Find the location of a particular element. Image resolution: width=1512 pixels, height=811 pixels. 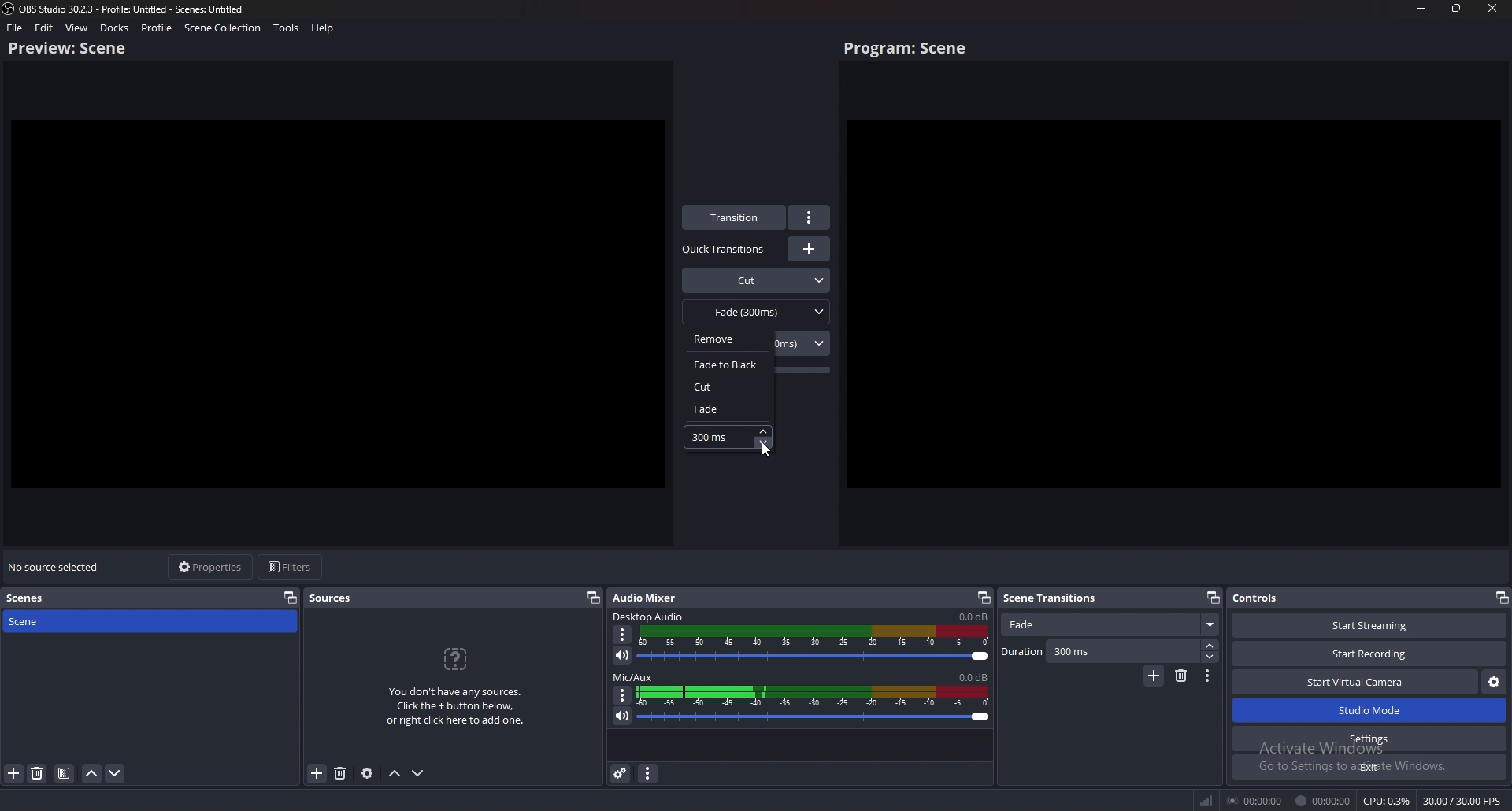

remove is located at coordinates (733, 339).